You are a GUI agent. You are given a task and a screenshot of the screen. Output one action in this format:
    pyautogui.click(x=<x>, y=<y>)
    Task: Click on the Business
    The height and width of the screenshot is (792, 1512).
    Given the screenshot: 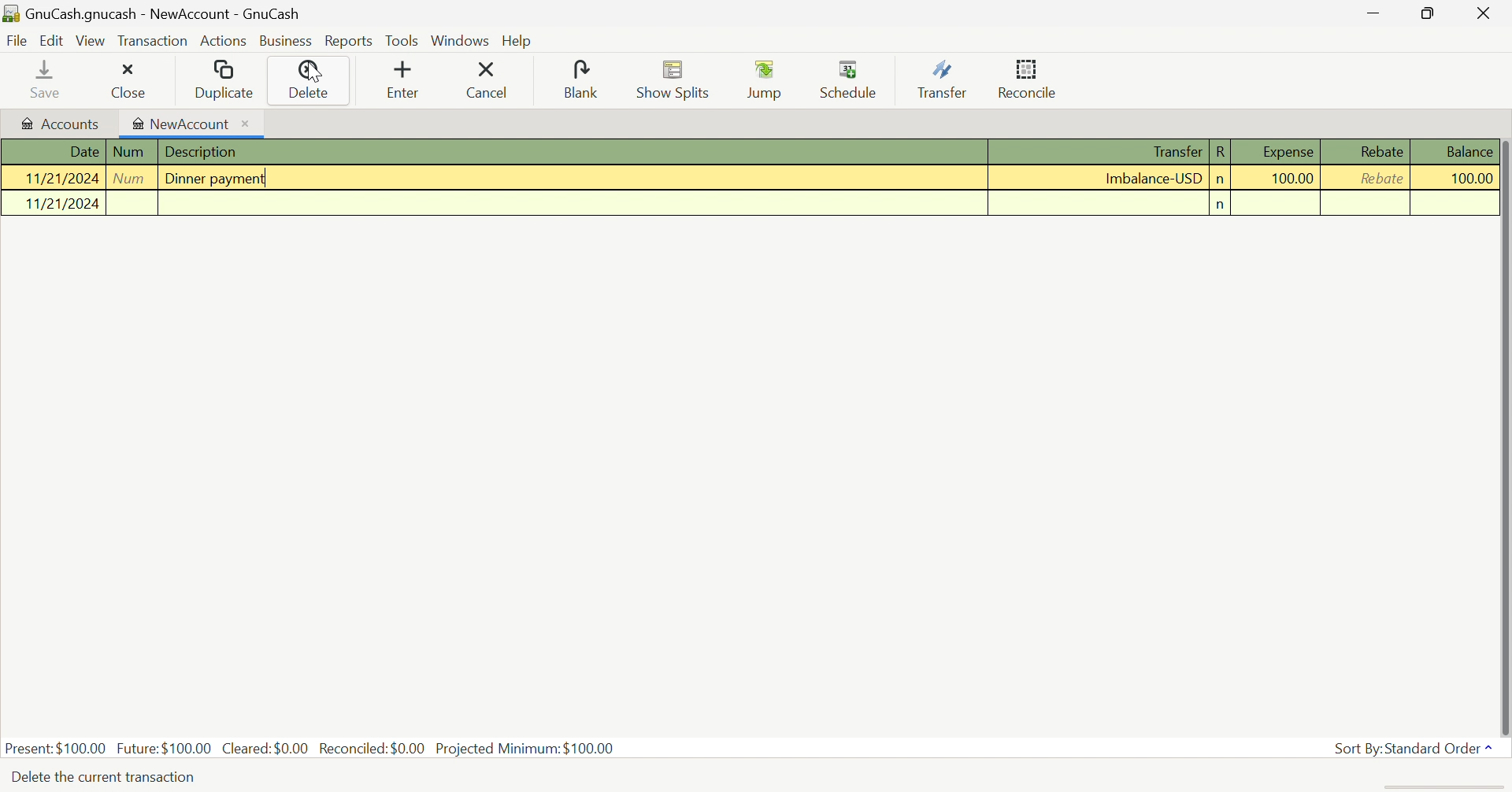 What is the action you would take?
    pyautogui.click(x=287, y=42)
    